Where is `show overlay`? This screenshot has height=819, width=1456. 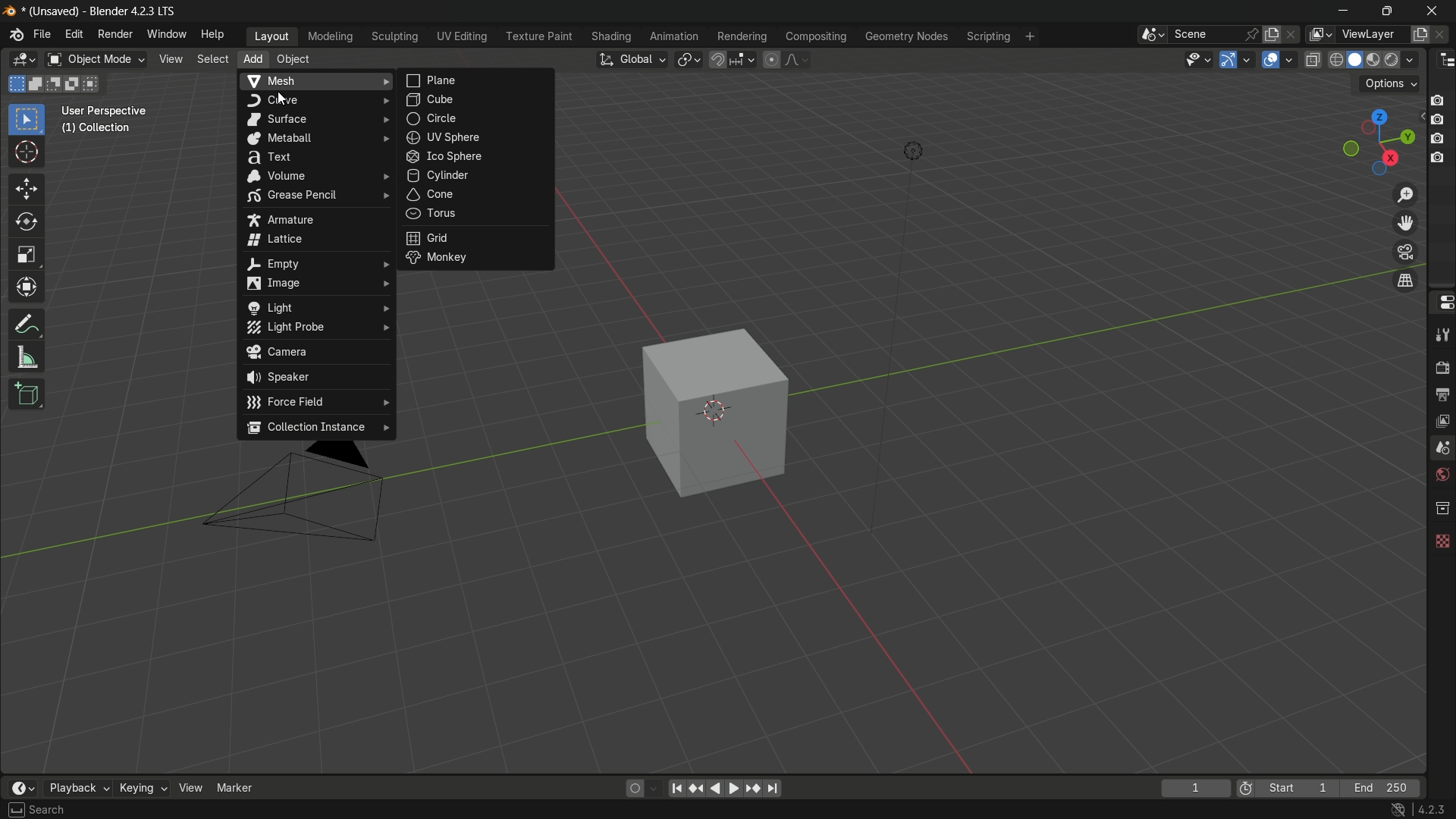 show overlay is located at coordinates (1272, 60).